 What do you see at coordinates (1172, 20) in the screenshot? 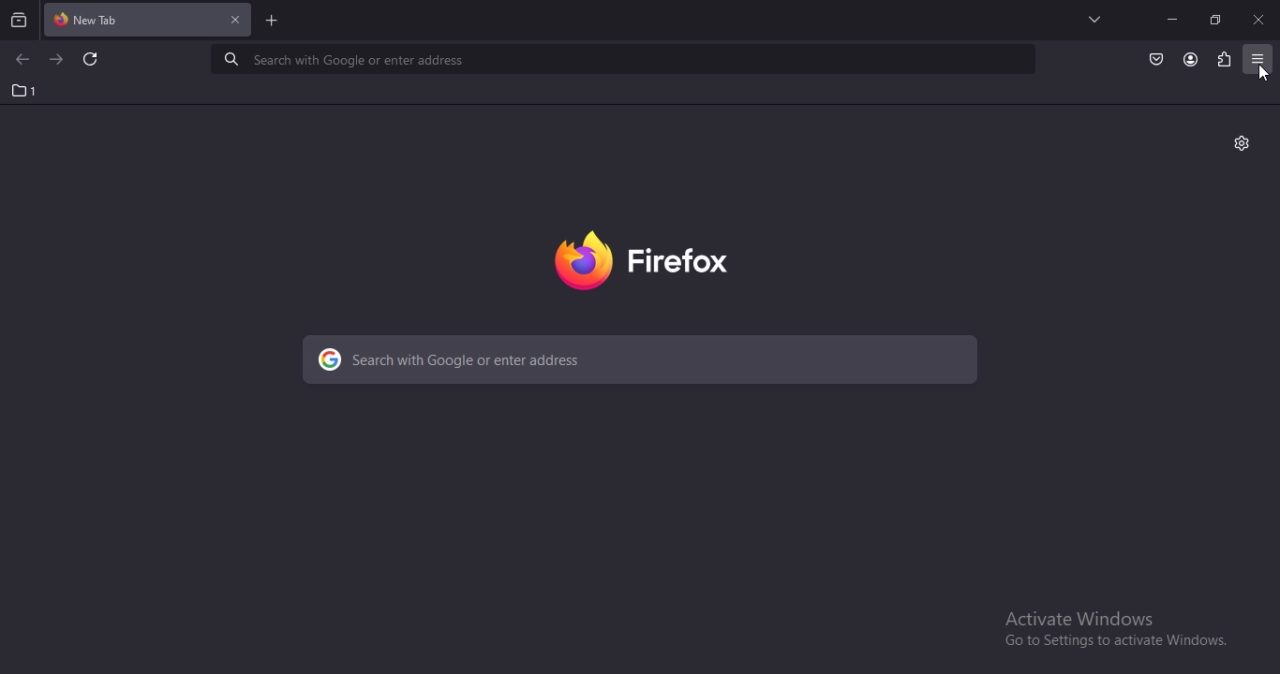
I see `minimize` at bounding box center [1172, 20].